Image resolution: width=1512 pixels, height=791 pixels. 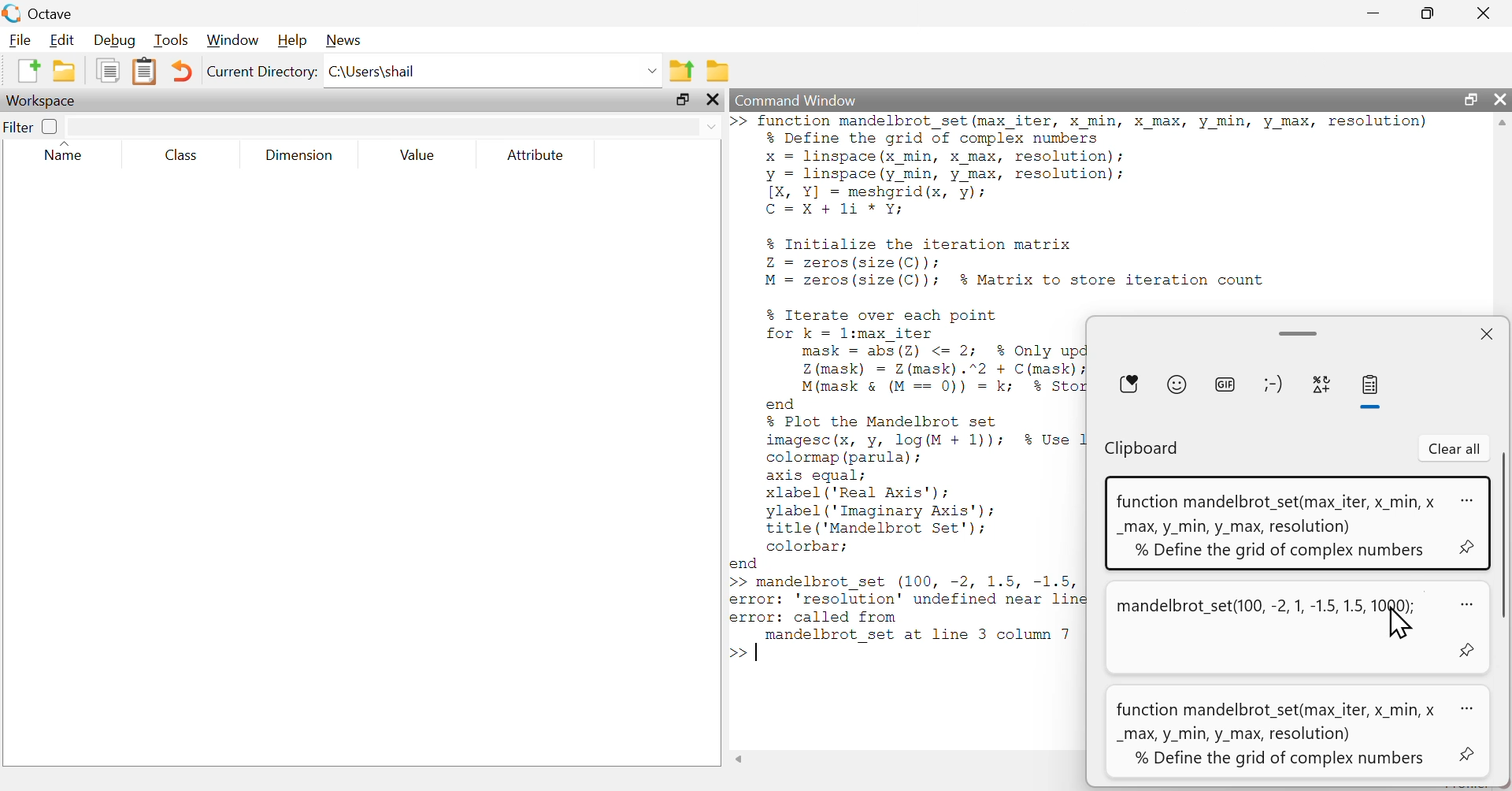 What do you see at coordinates (1466, 500) in the screenshot?
I see `options` at bounding box center [1466, 500].